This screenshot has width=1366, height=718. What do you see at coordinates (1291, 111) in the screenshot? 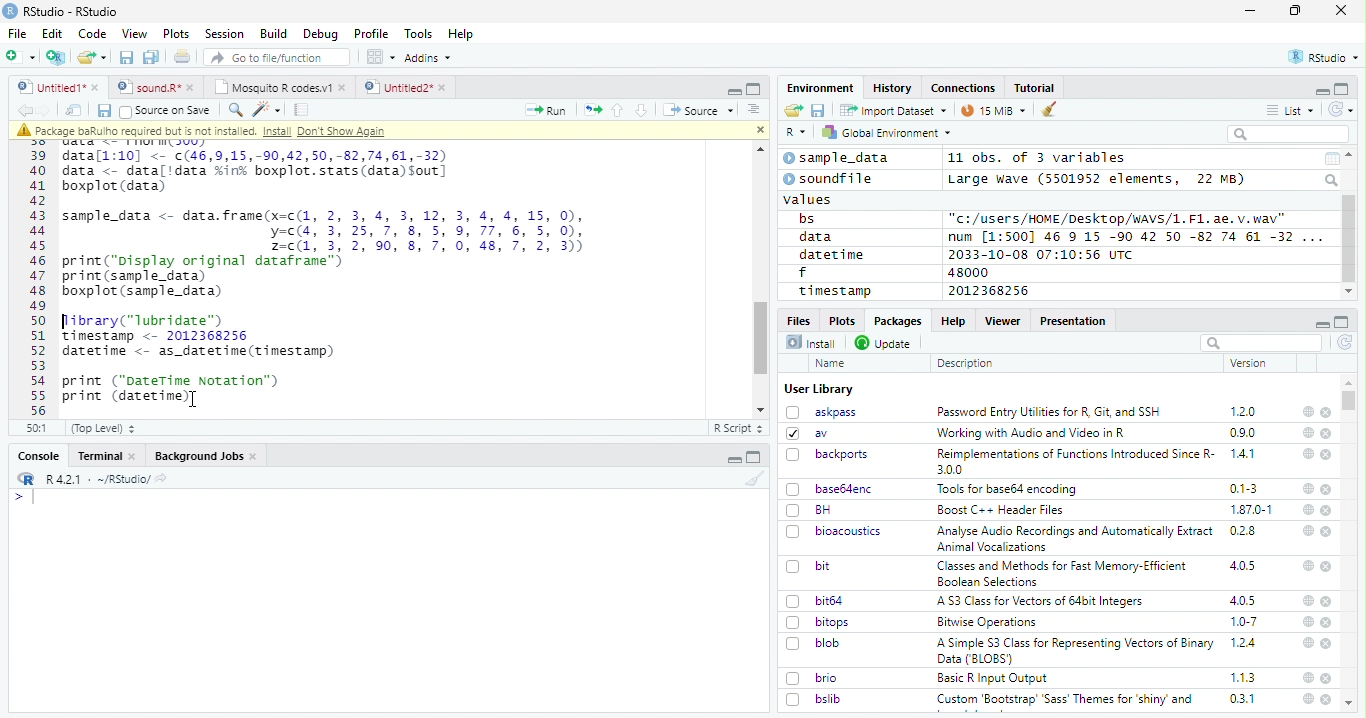
I see `List` at bounding box center [1291, 111].